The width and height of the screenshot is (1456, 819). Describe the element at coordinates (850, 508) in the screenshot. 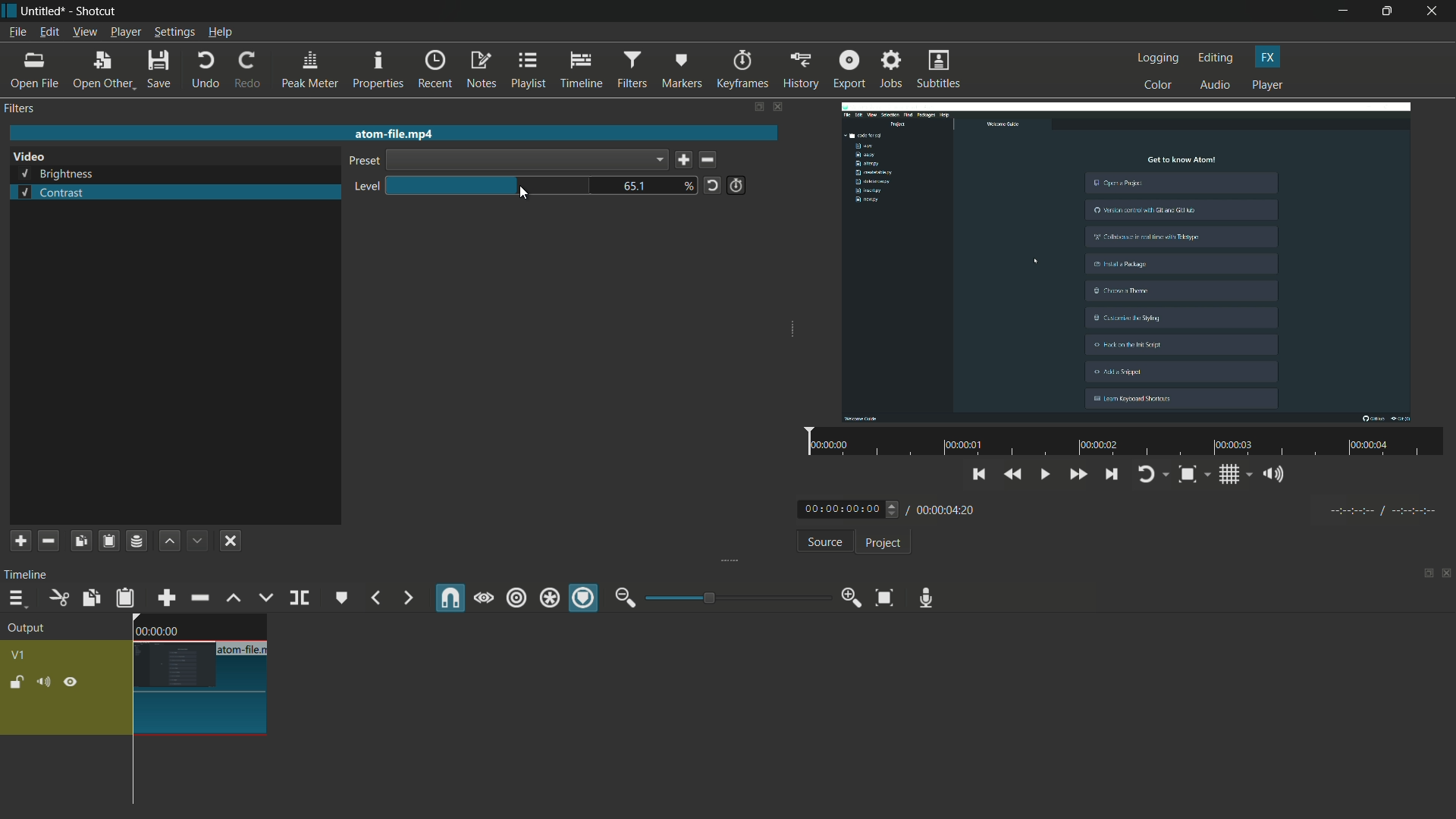

I see `00:00:00:00 (current time)` at that location.